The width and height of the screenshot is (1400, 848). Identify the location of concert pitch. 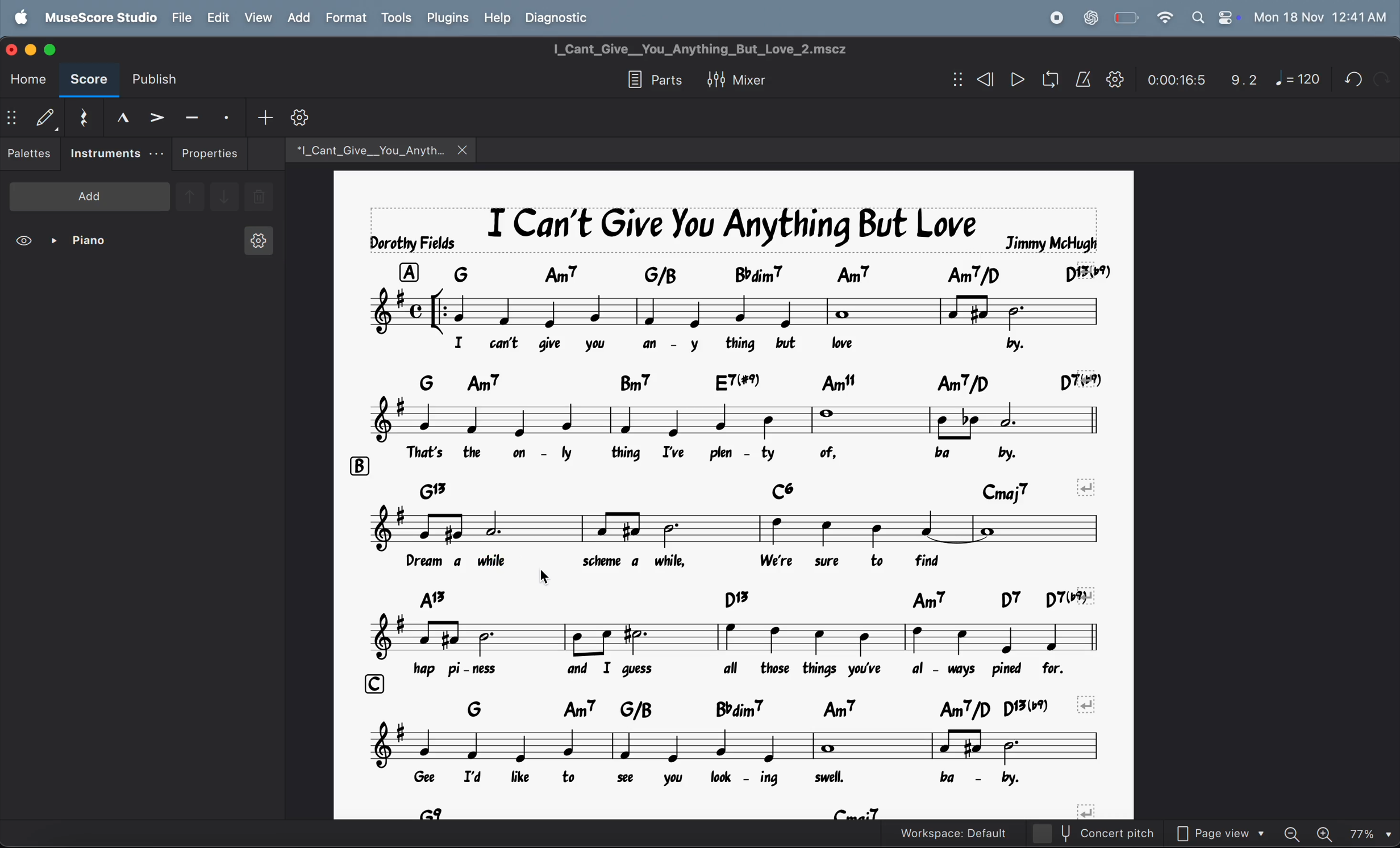
(1097, 835).